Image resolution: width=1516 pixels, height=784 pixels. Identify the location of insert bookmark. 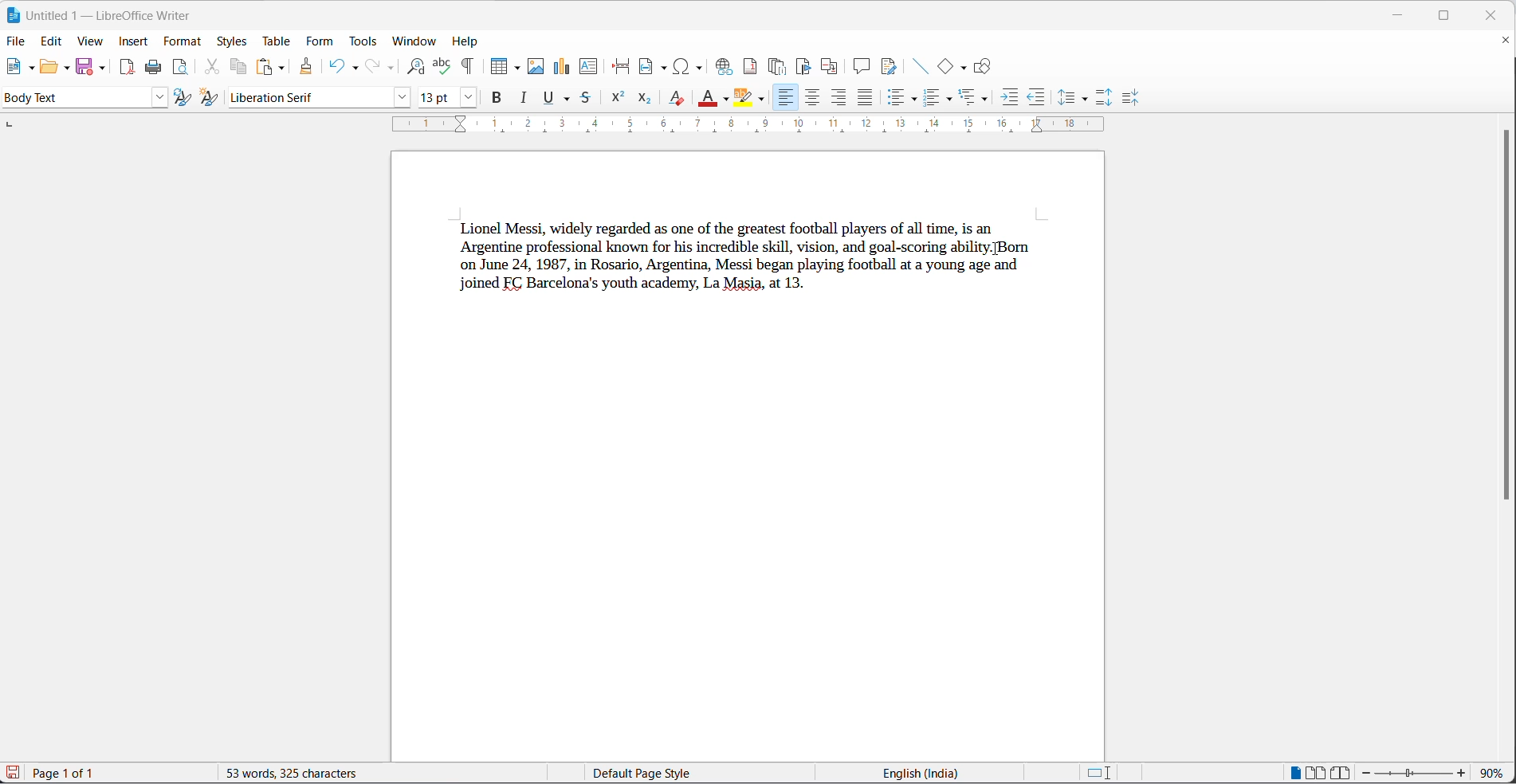
(803, 67).